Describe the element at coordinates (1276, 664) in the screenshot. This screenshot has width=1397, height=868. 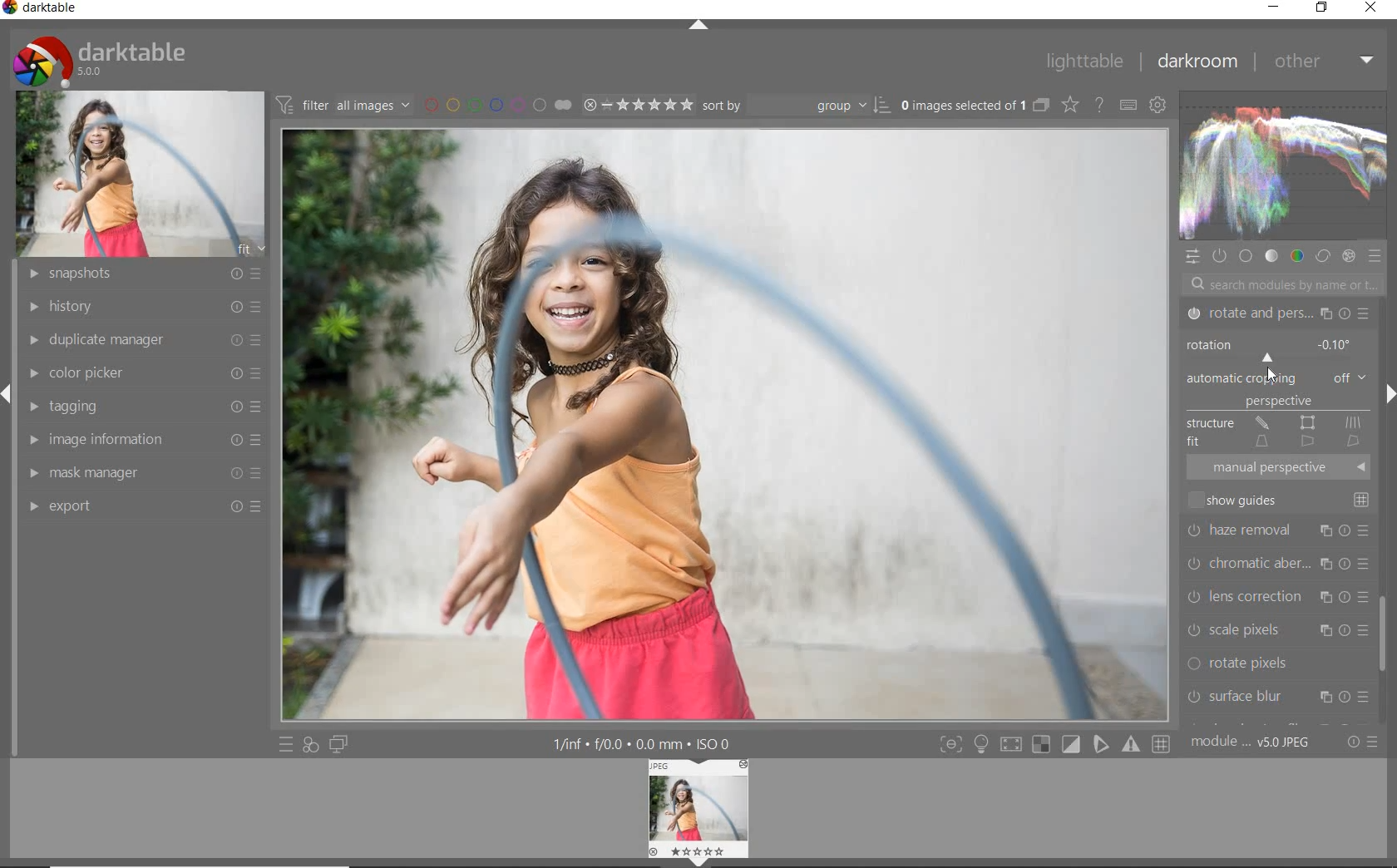
I see `rotate pixels` at that location.